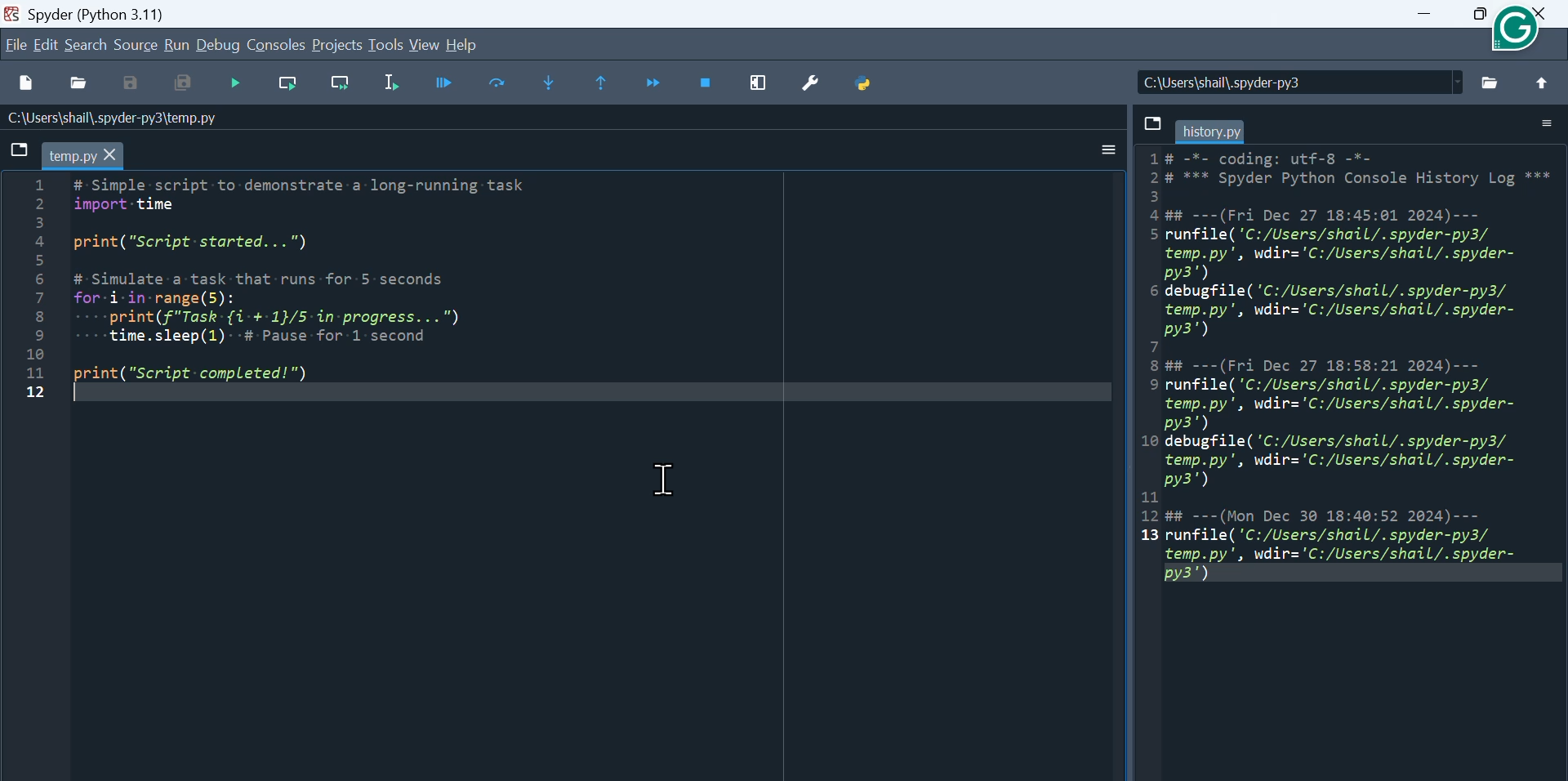  I want to click on help, so click(463, 43).